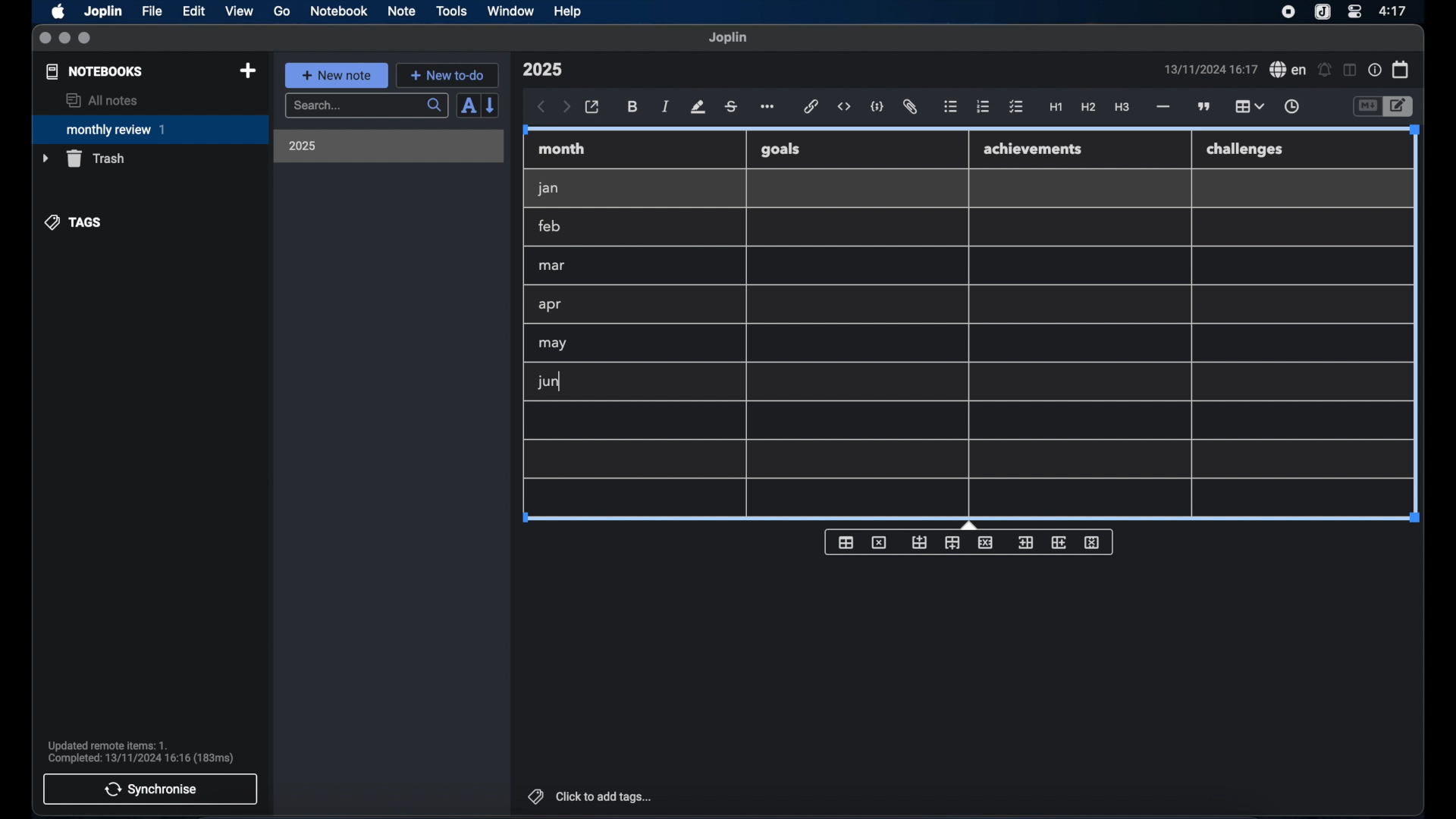 This screenshot has width=1456, height=819. Describe the element at coordinates (552, 344) in the screenshot. I see `may` at that location.